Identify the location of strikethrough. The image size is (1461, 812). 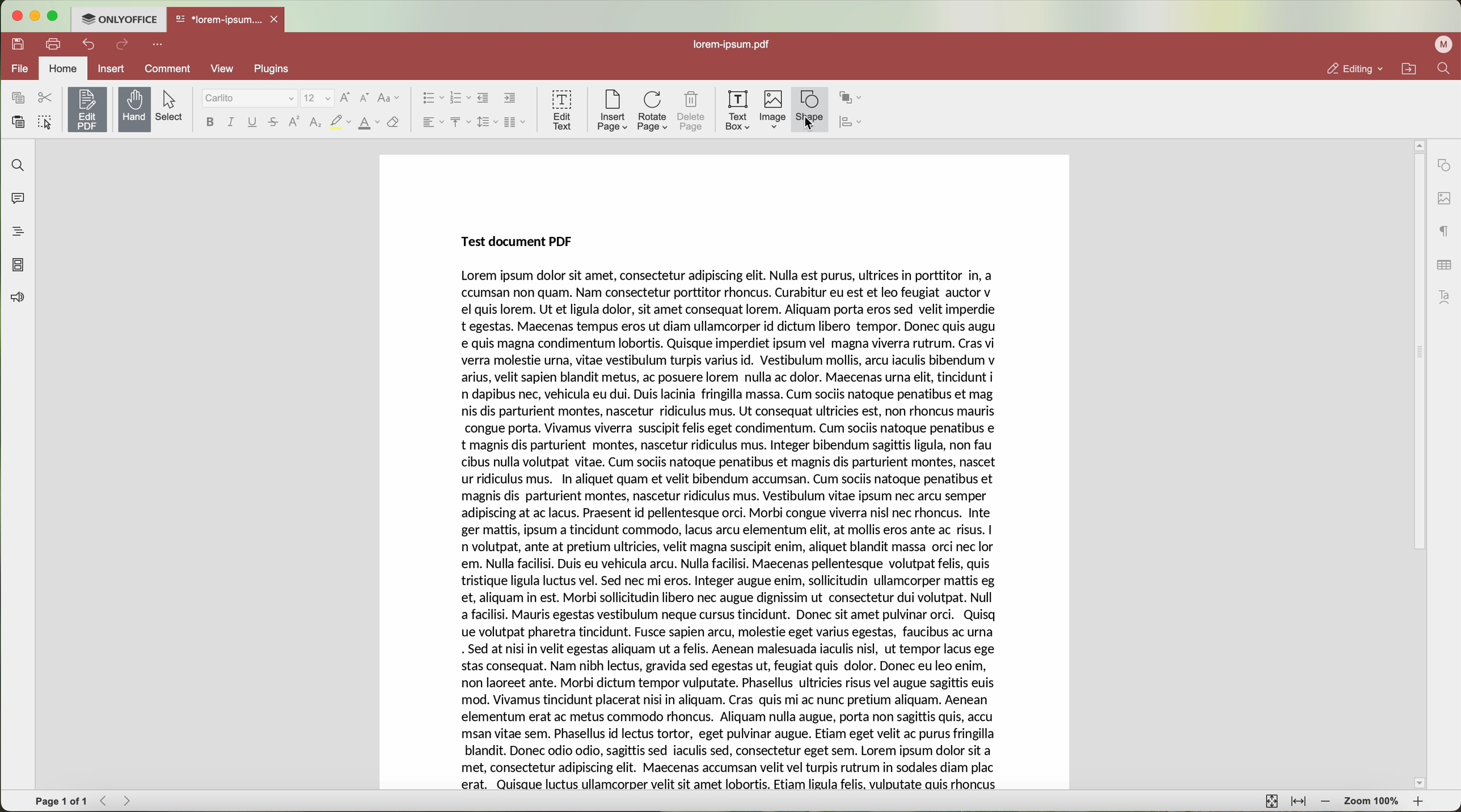
(273, 124).